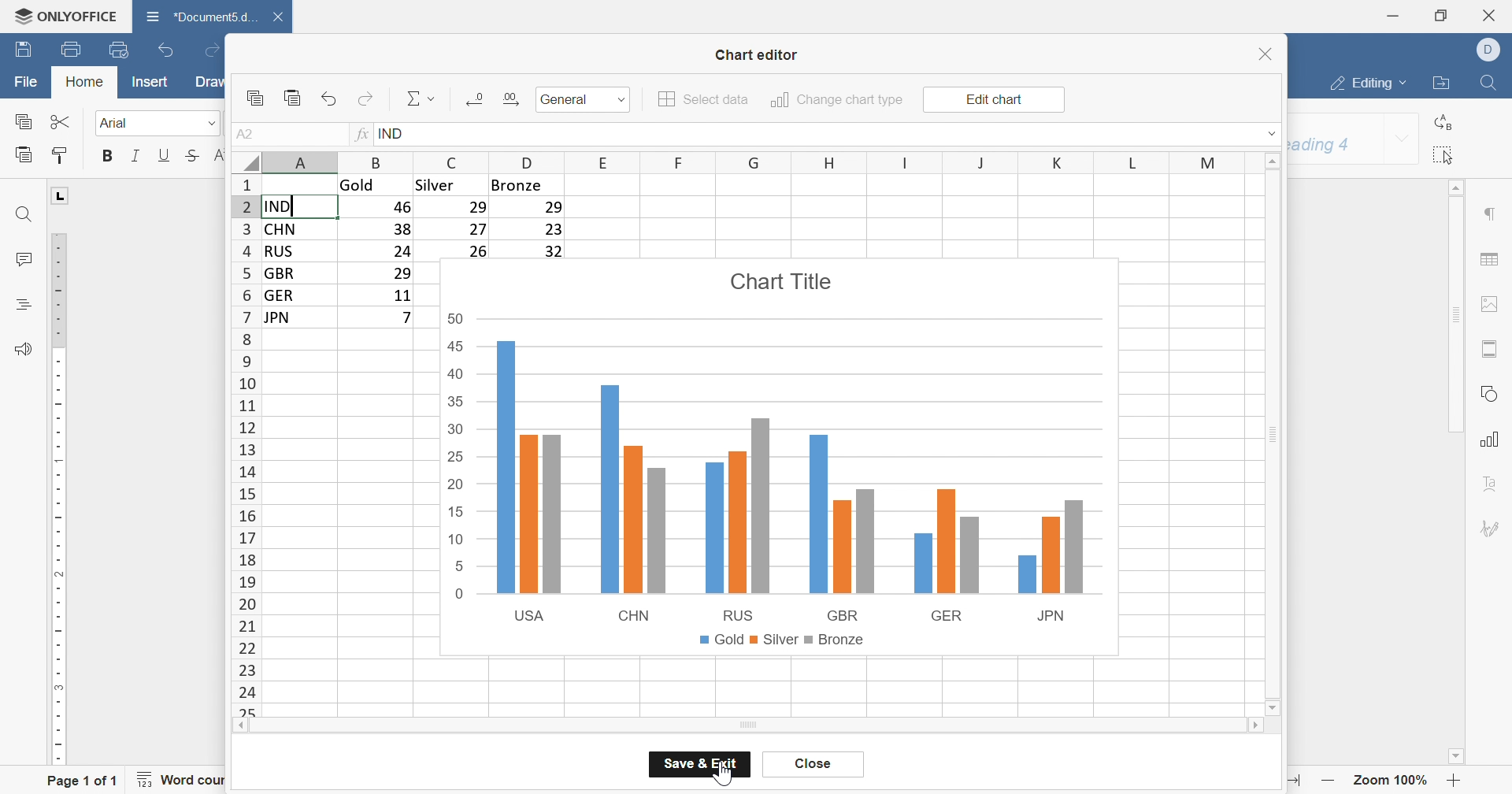 This screenshot has height=794, width=1512. I want to click on zoom in, so click(1455, 781).